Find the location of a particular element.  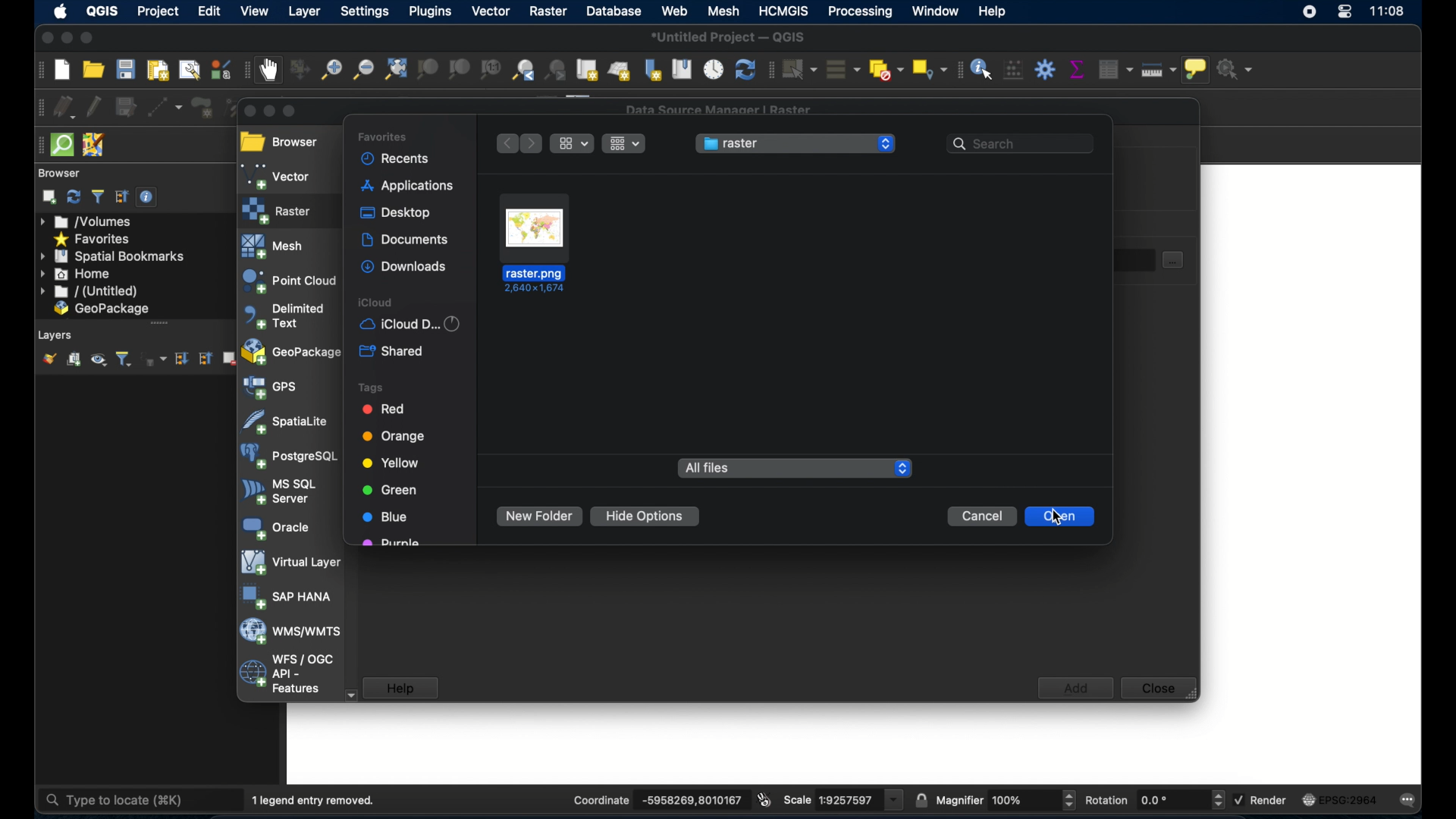

favorites is located at coordinates (380, 133).